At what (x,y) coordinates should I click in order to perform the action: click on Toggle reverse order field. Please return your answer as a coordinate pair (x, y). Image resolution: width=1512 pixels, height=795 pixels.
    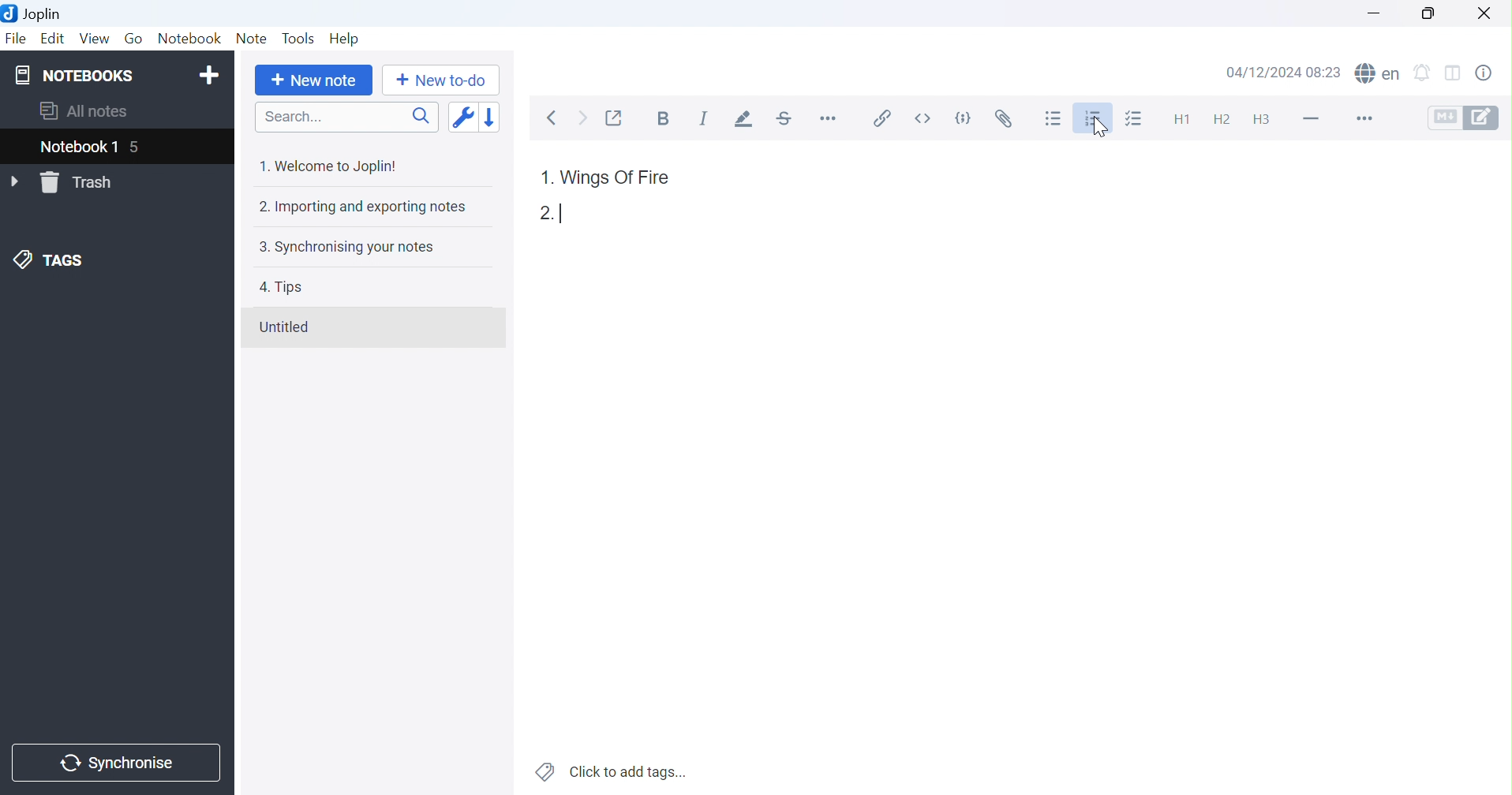
    Looking at the image, I should click on (462, 118).